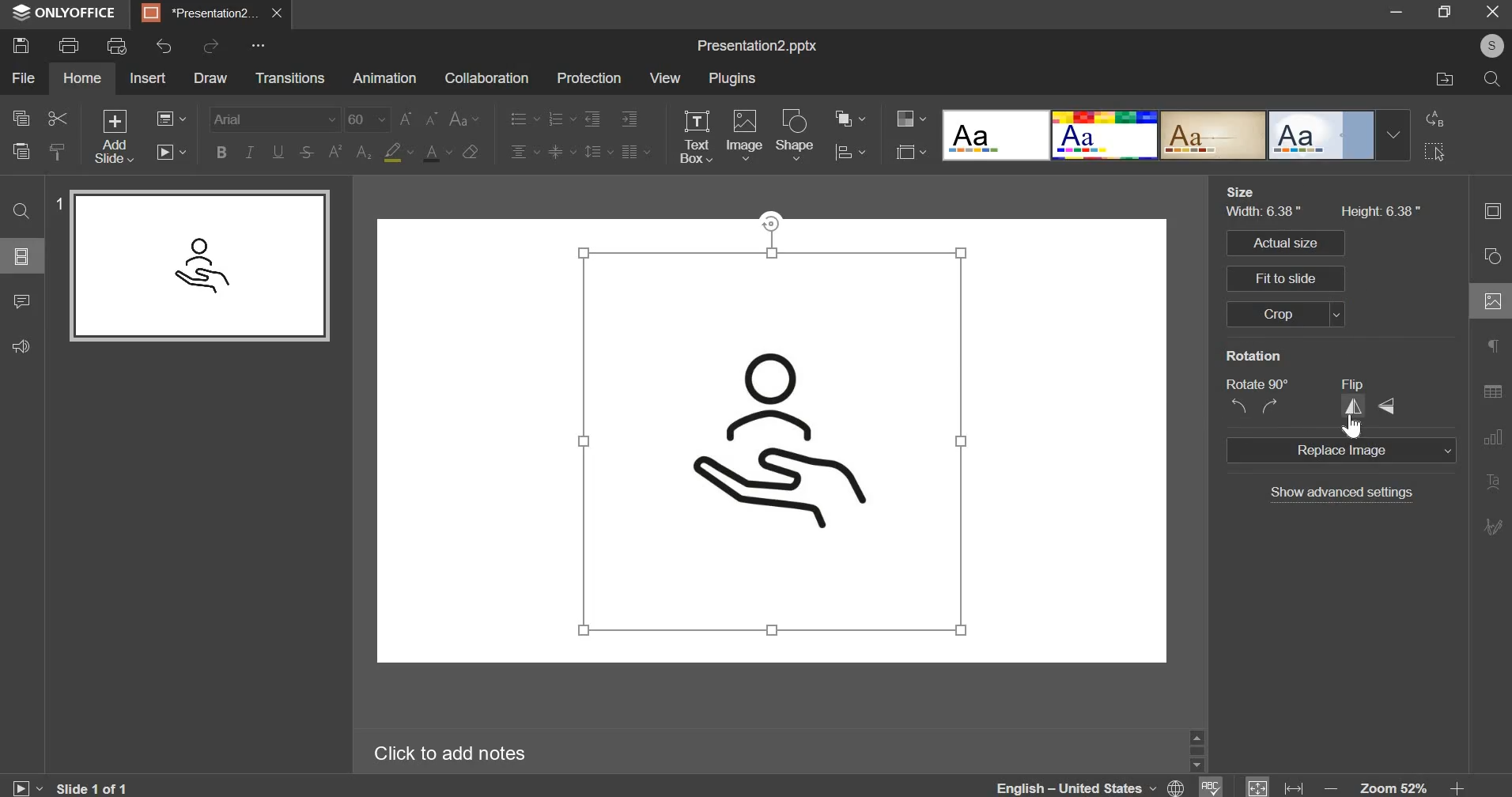 The height and width of the screenshot is (797, 1512). I want to click on text art, so click(1492, 482).